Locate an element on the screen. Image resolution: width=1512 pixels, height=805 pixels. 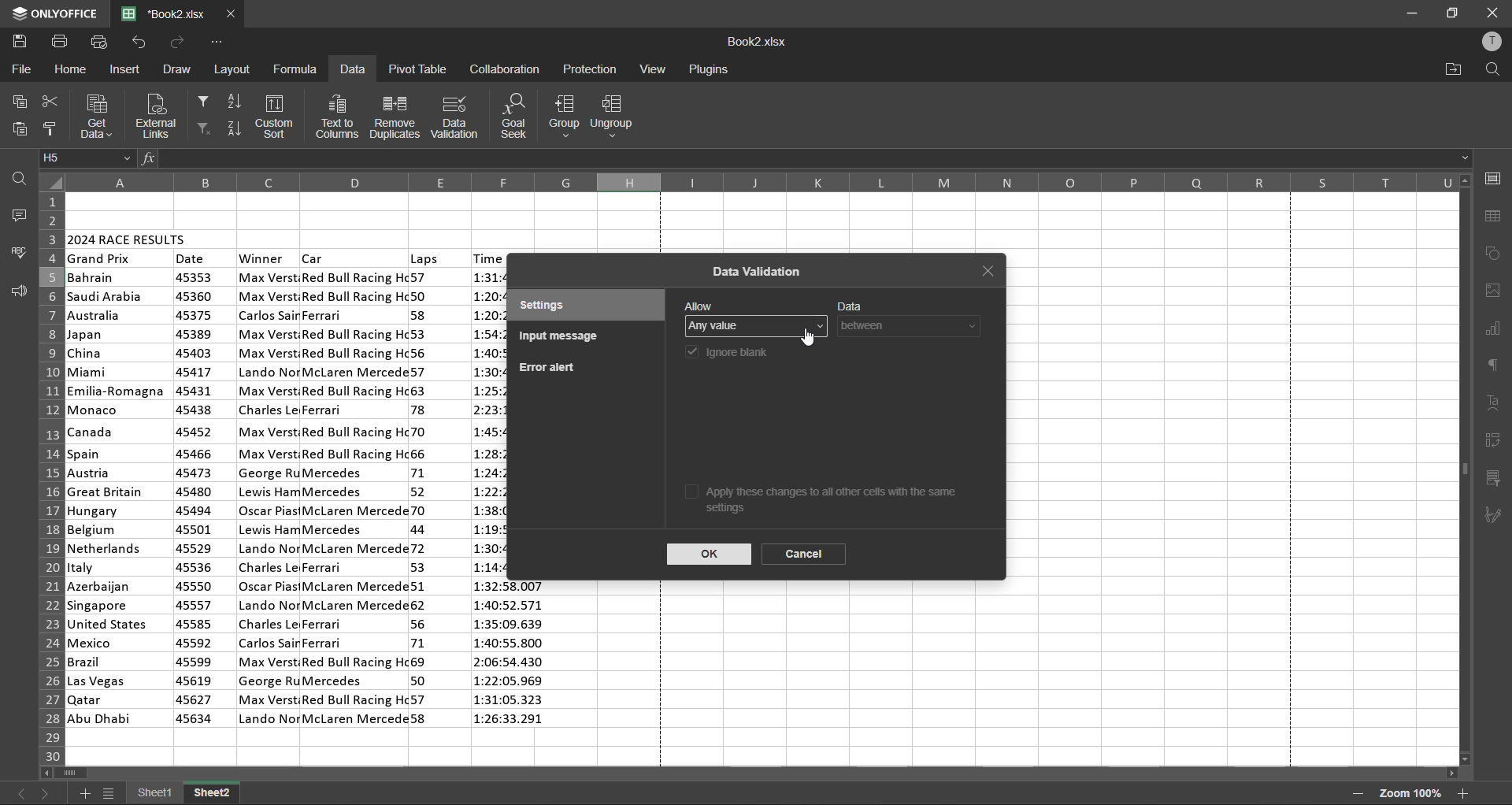
find is located at coordinates (22, 178).